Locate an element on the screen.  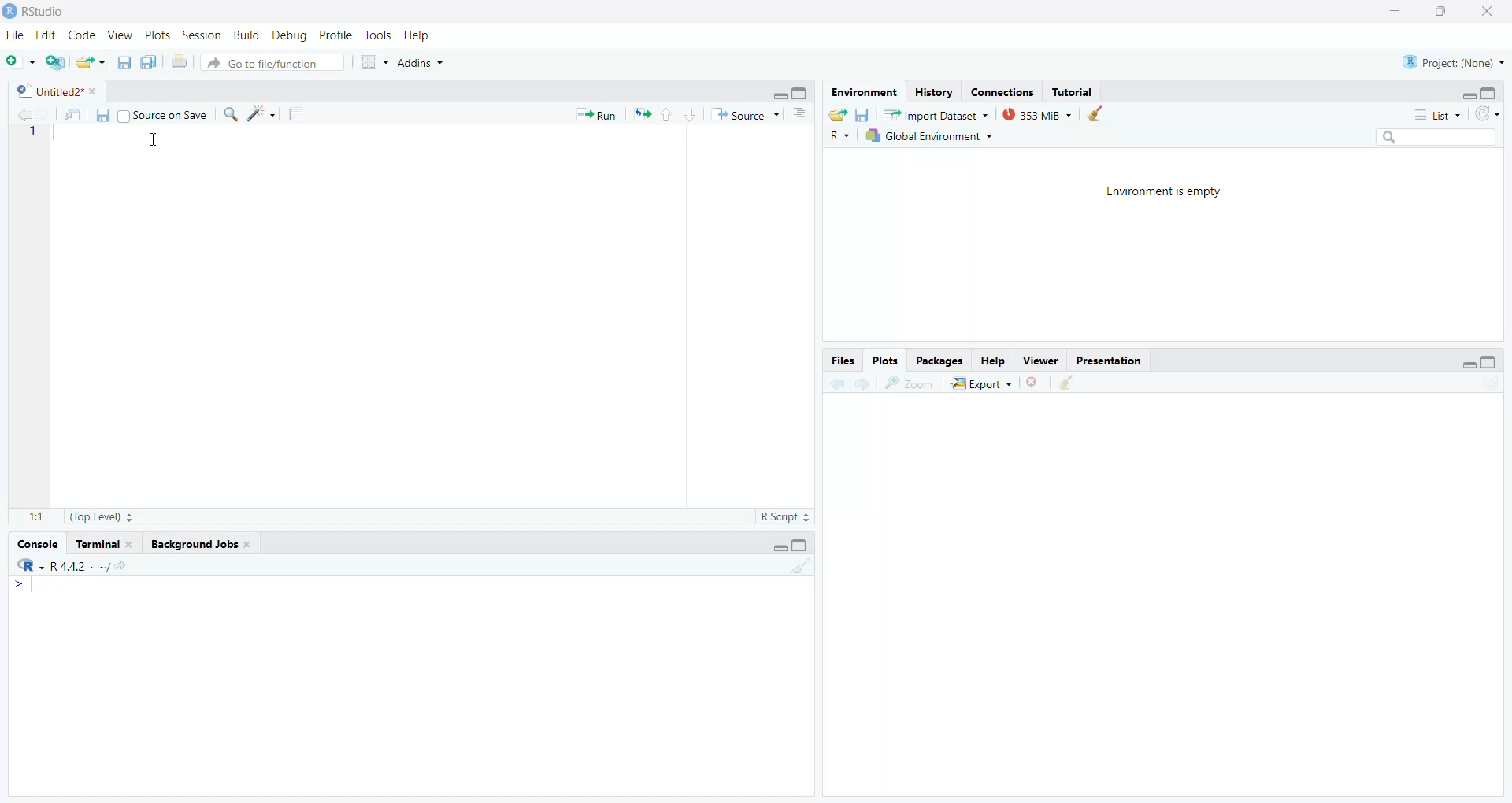
 Project: (None) ~ is located at coordinates (1450, 64).